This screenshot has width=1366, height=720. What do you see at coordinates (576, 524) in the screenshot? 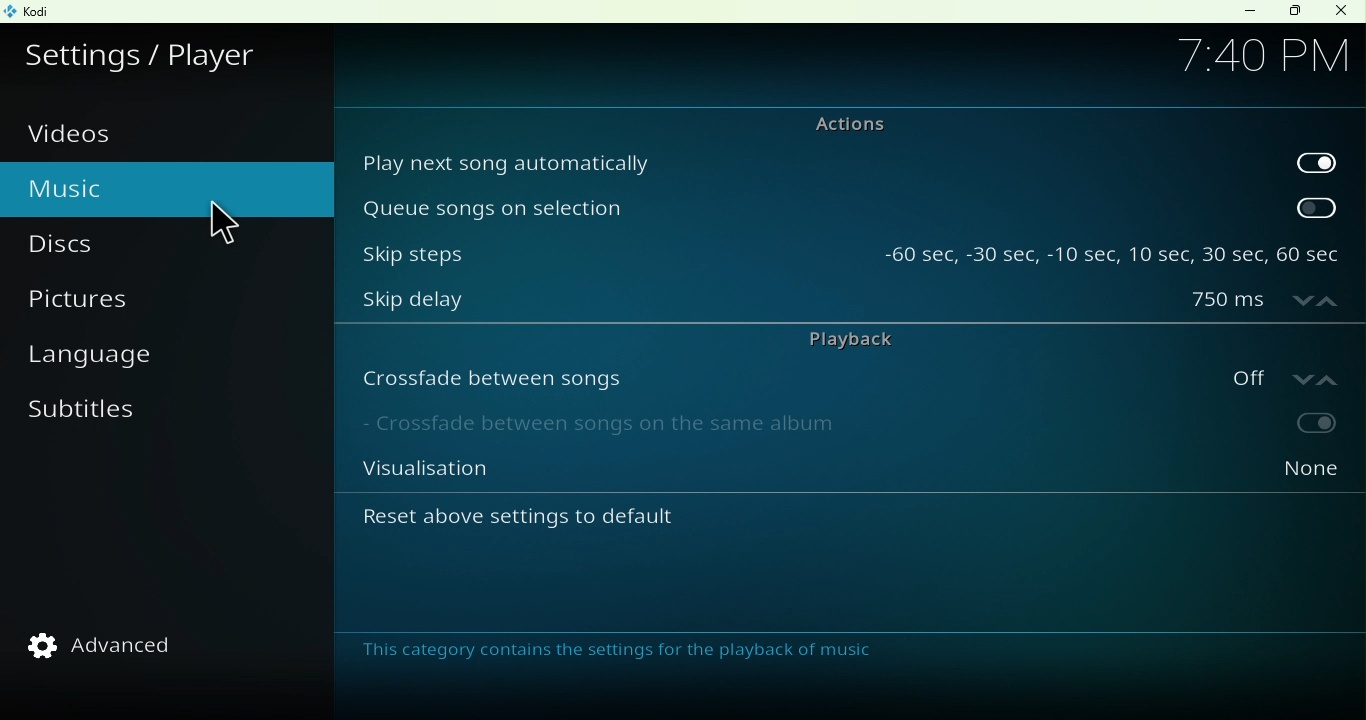
I see `Reset above settings to default` at bounding box center [576, 524].